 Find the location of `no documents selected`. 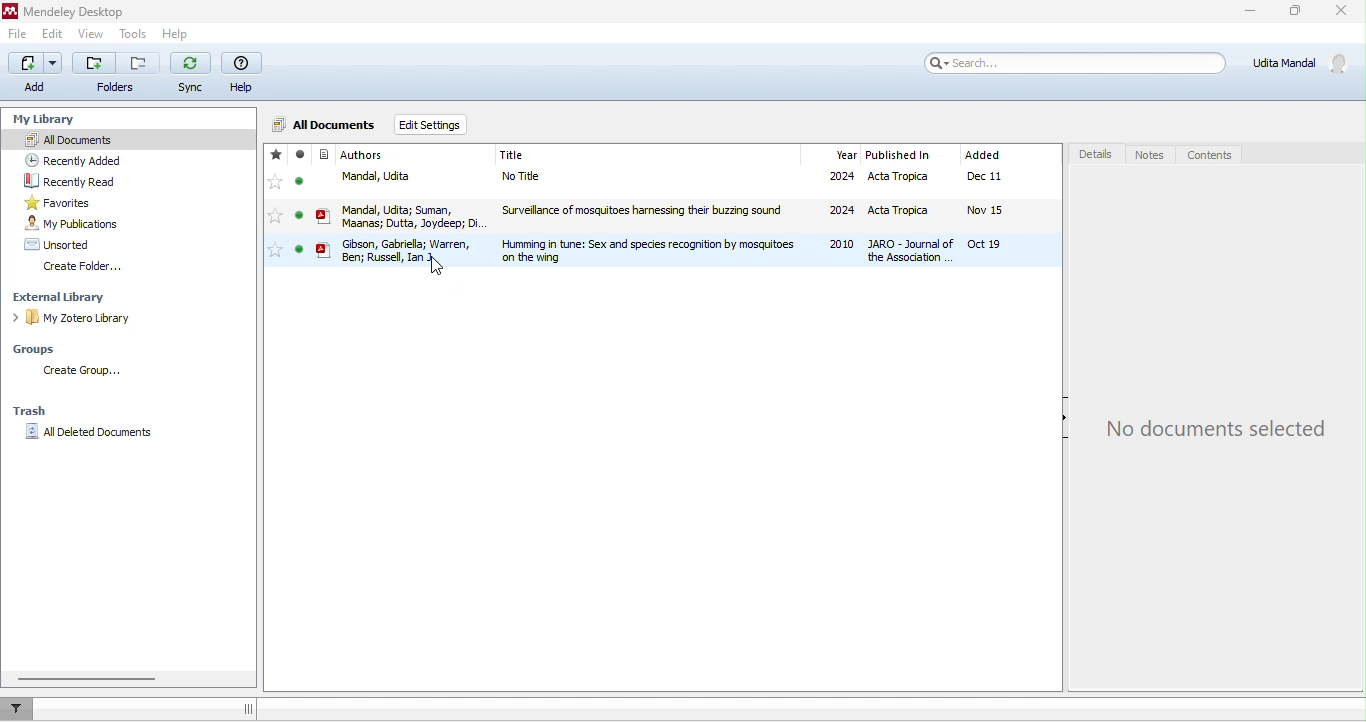

no documents selected is located at coordinates (1213, 435).